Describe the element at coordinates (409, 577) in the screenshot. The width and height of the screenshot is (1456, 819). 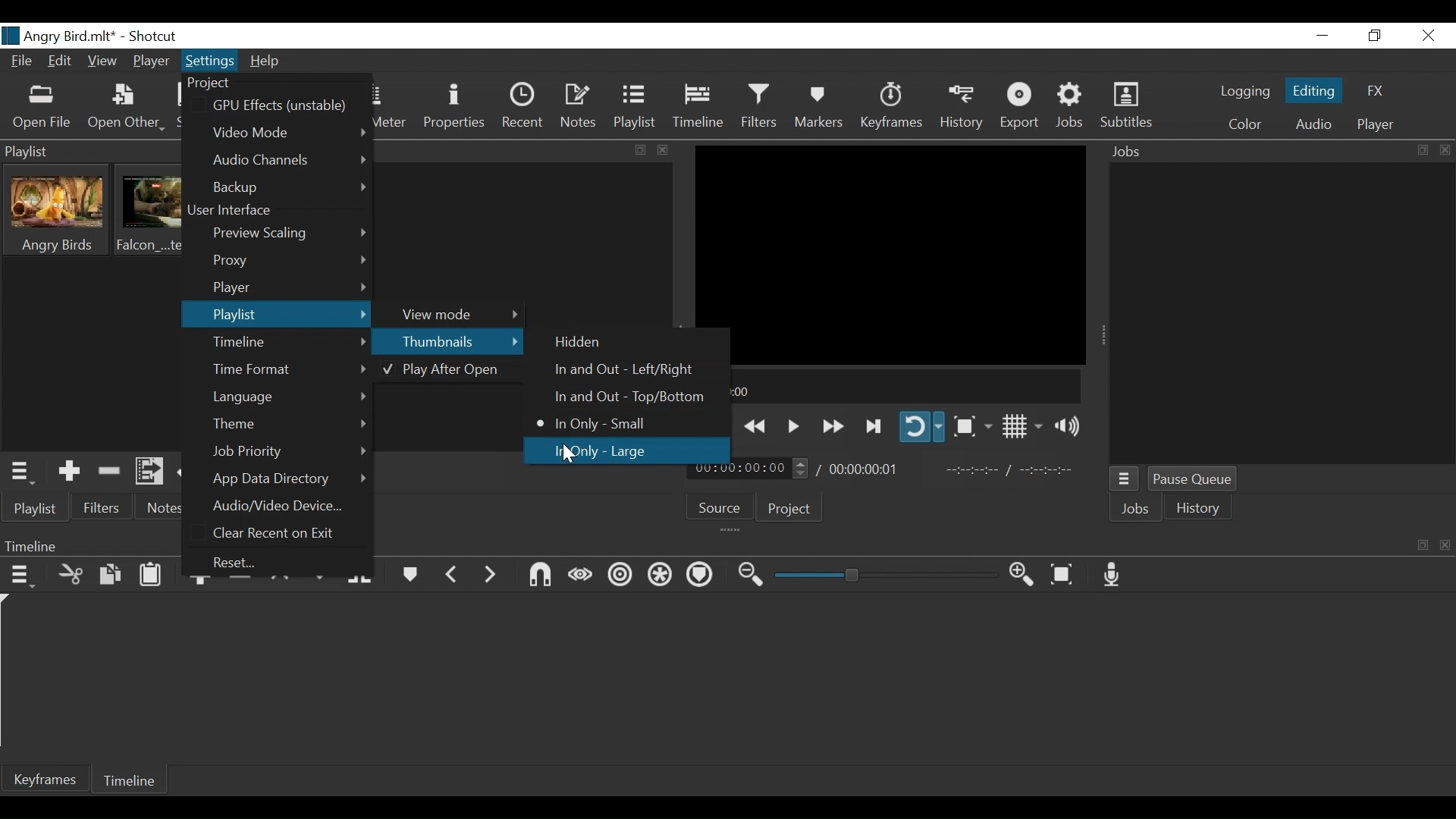
I see `Marker` at that location.